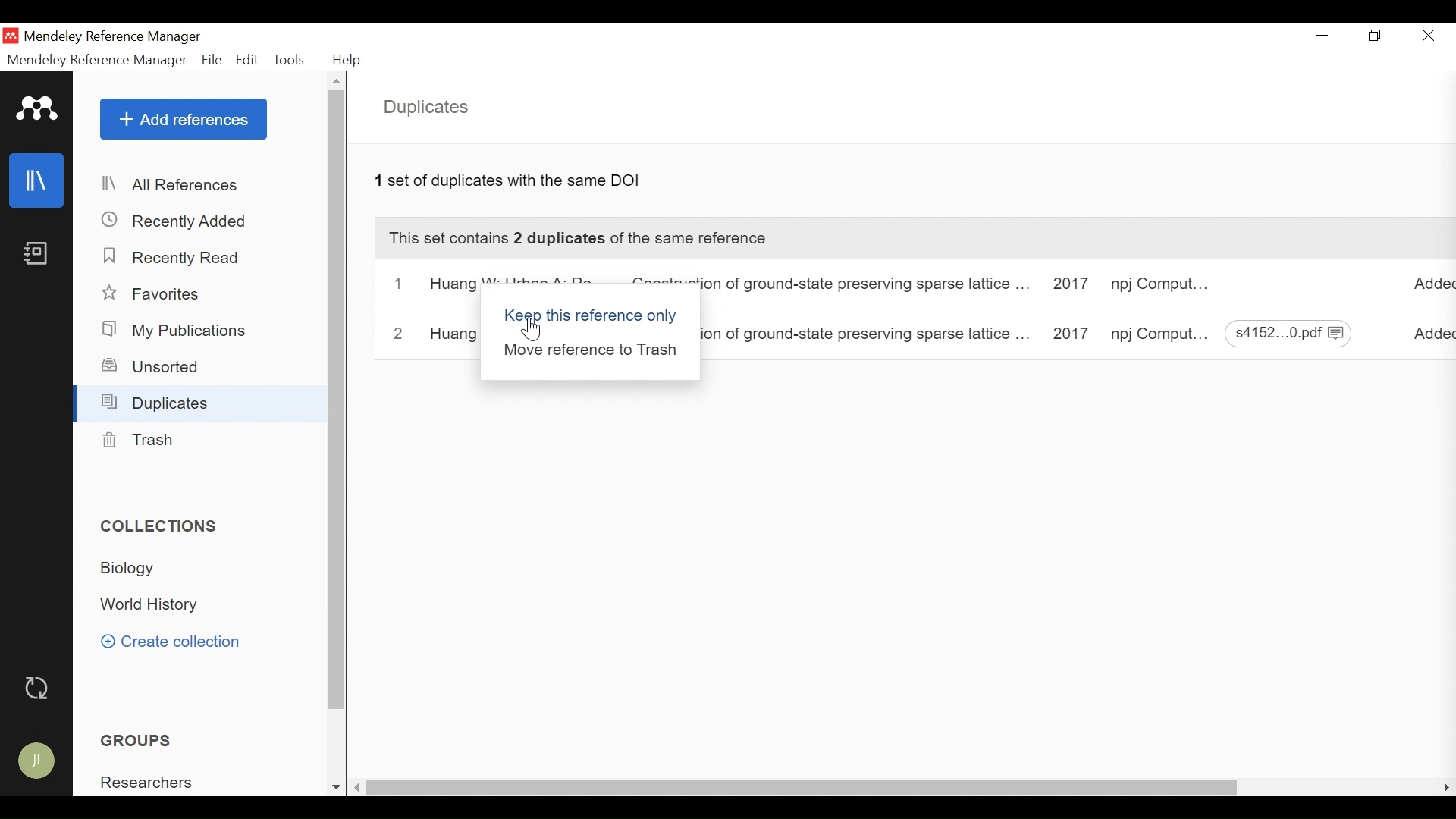 The height and width of the screenshot is (819, 1456). I want to click on Unsorted, so click(151, 366).